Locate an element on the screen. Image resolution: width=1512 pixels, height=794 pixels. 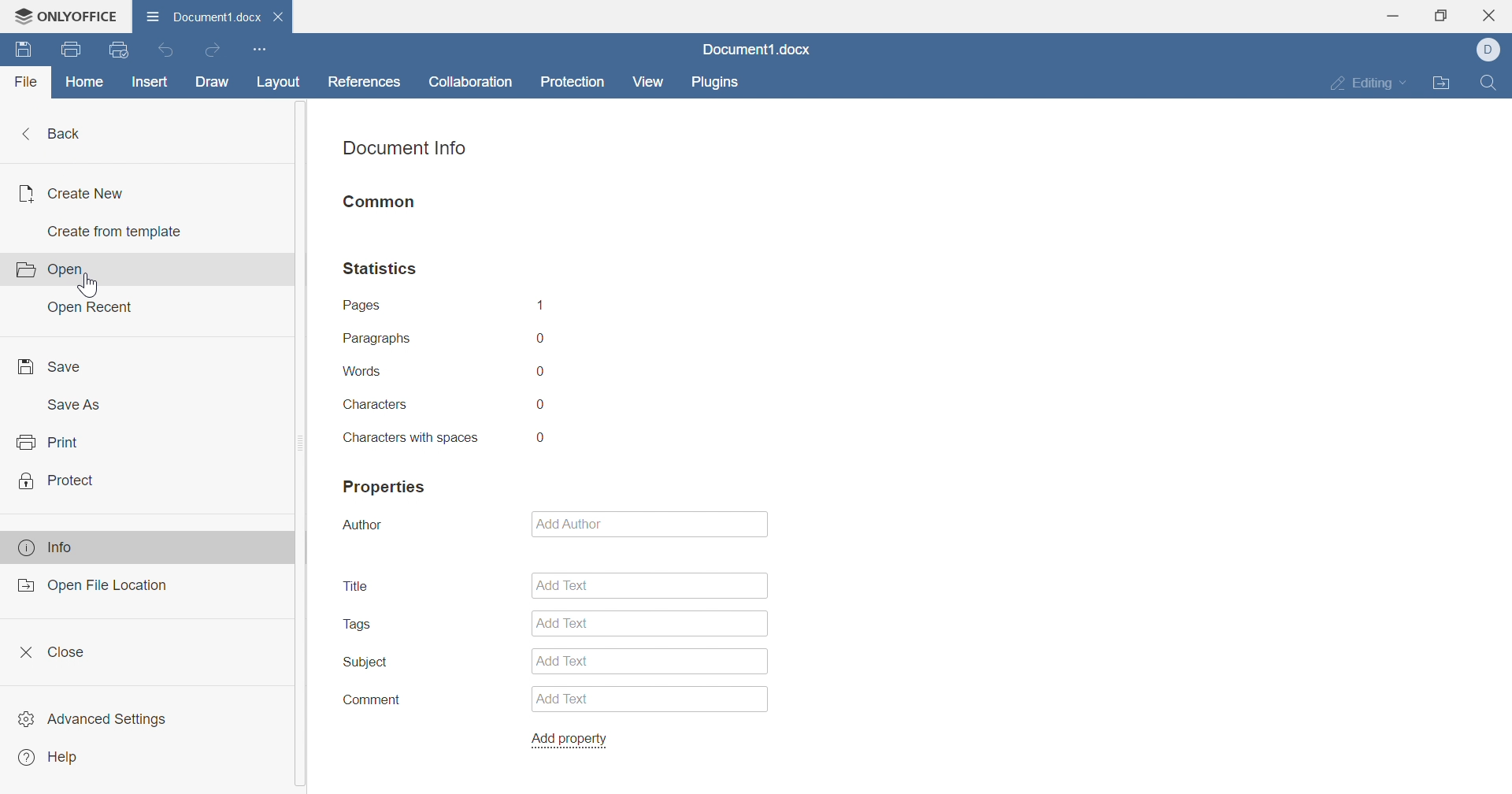
file is located at coordinates (28, 85).